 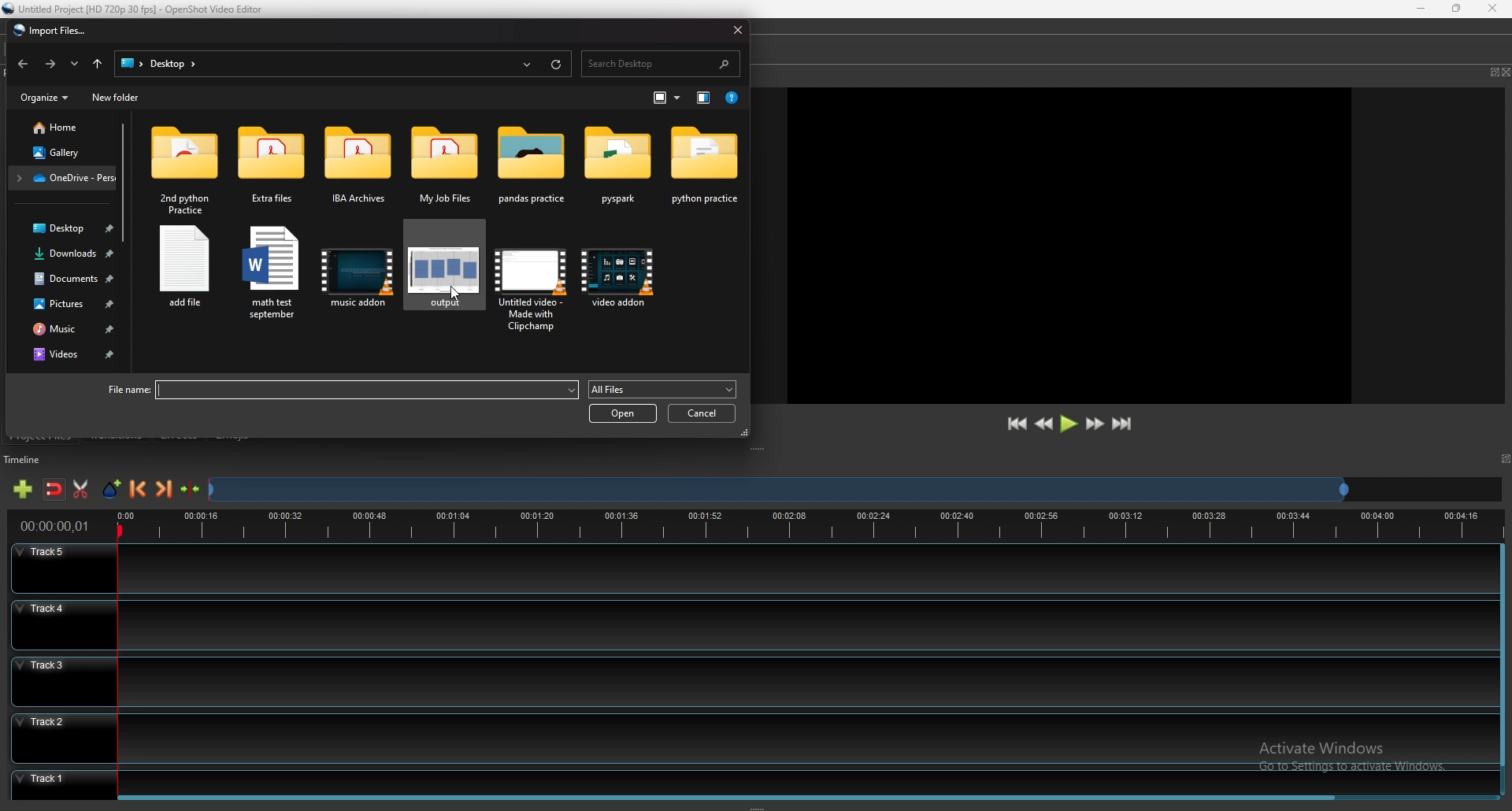 I want to click on folder, so click(x=535, y=165).